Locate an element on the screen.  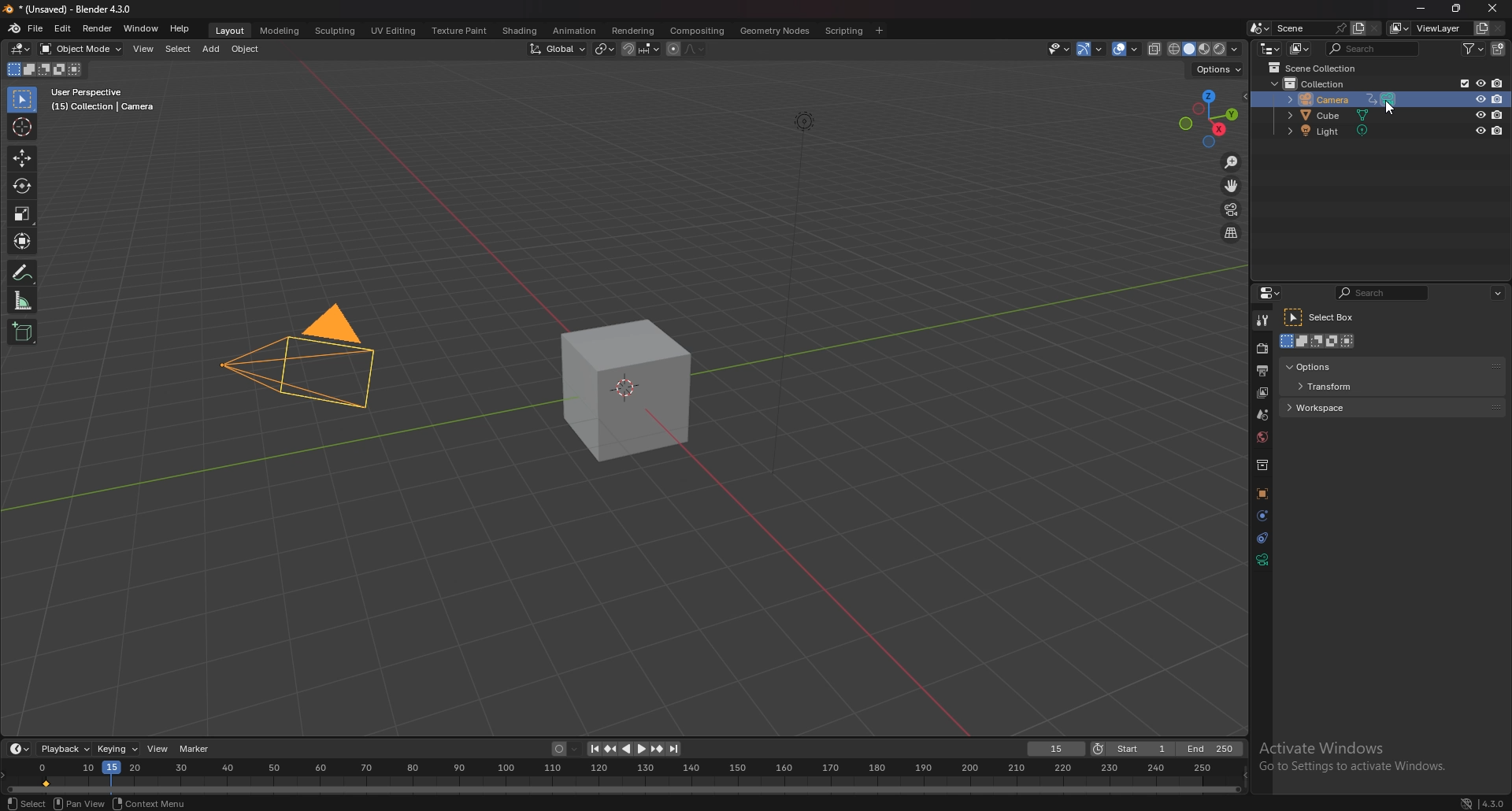
move is located at coordinates (1231, 185).